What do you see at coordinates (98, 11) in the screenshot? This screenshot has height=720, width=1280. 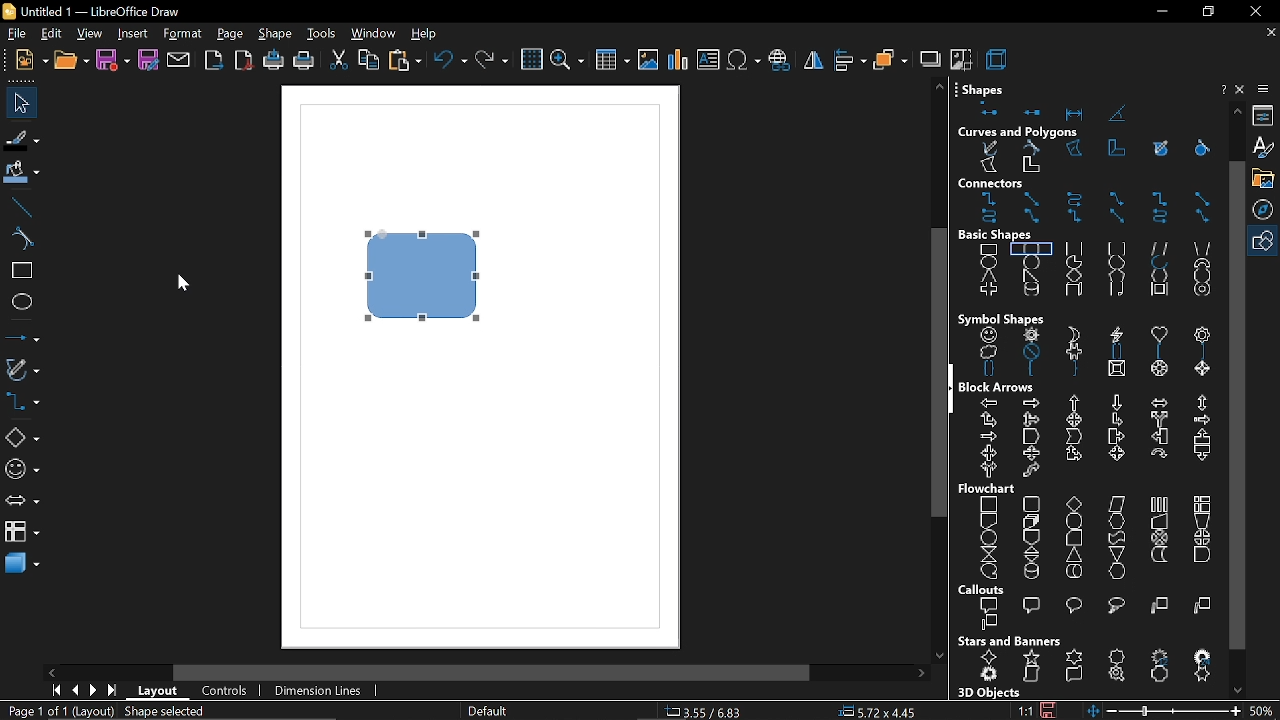 I see `current window` at bounding box center [98, 11].